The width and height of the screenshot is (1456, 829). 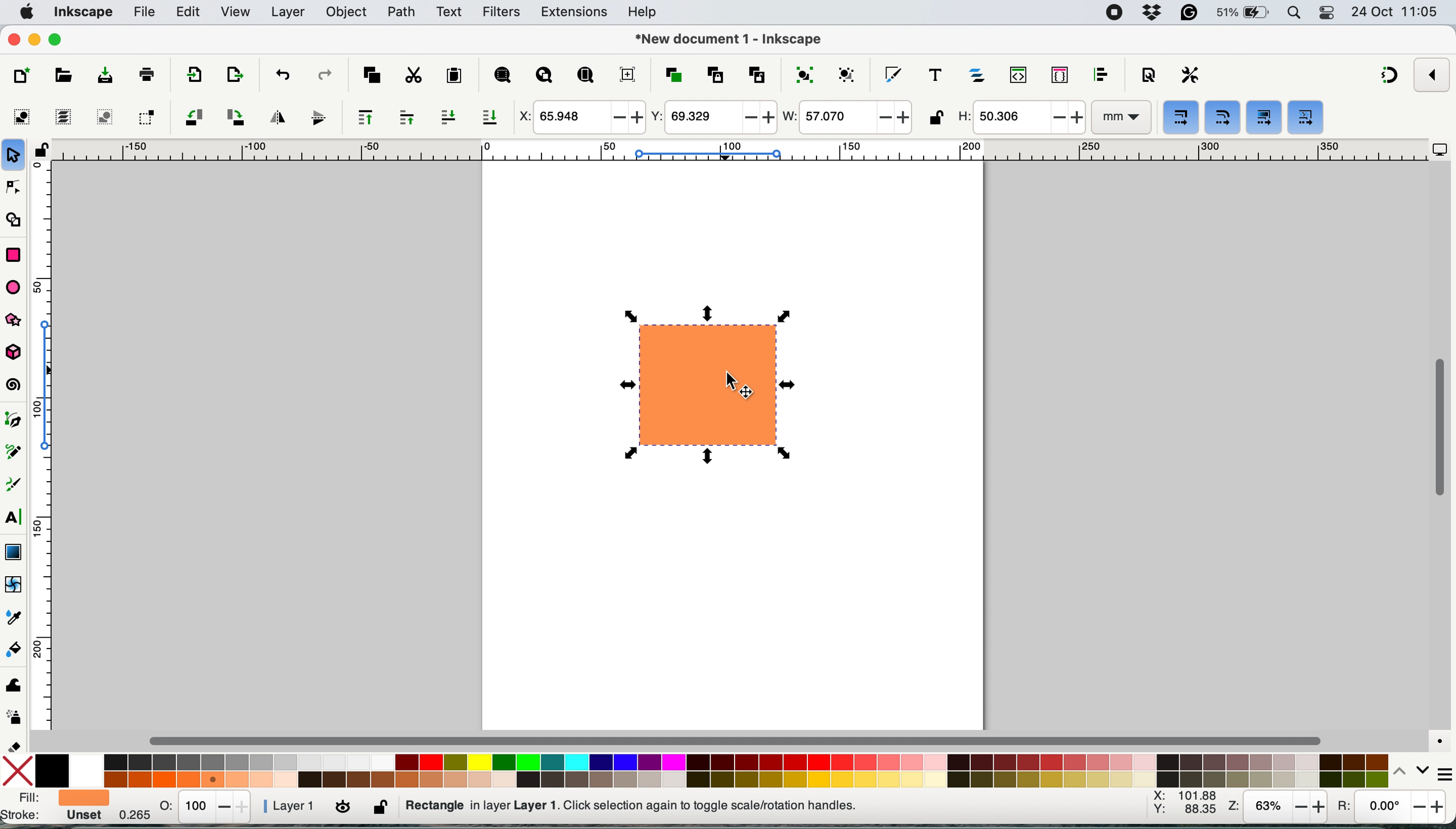 I want to click on dropbox, so click(x=1154, y=13).